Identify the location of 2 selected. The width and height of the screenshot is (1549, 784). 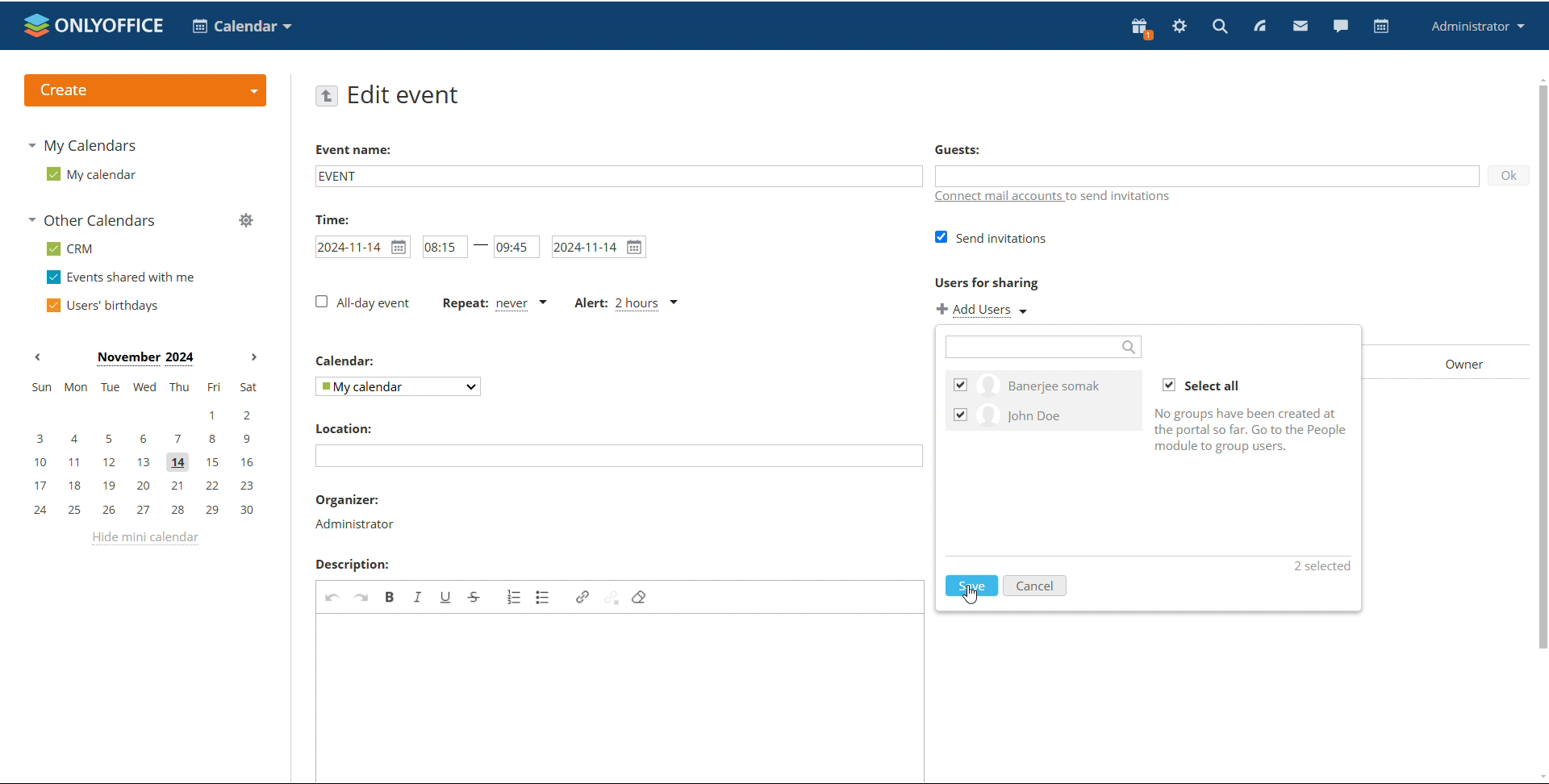
(1320, 566).